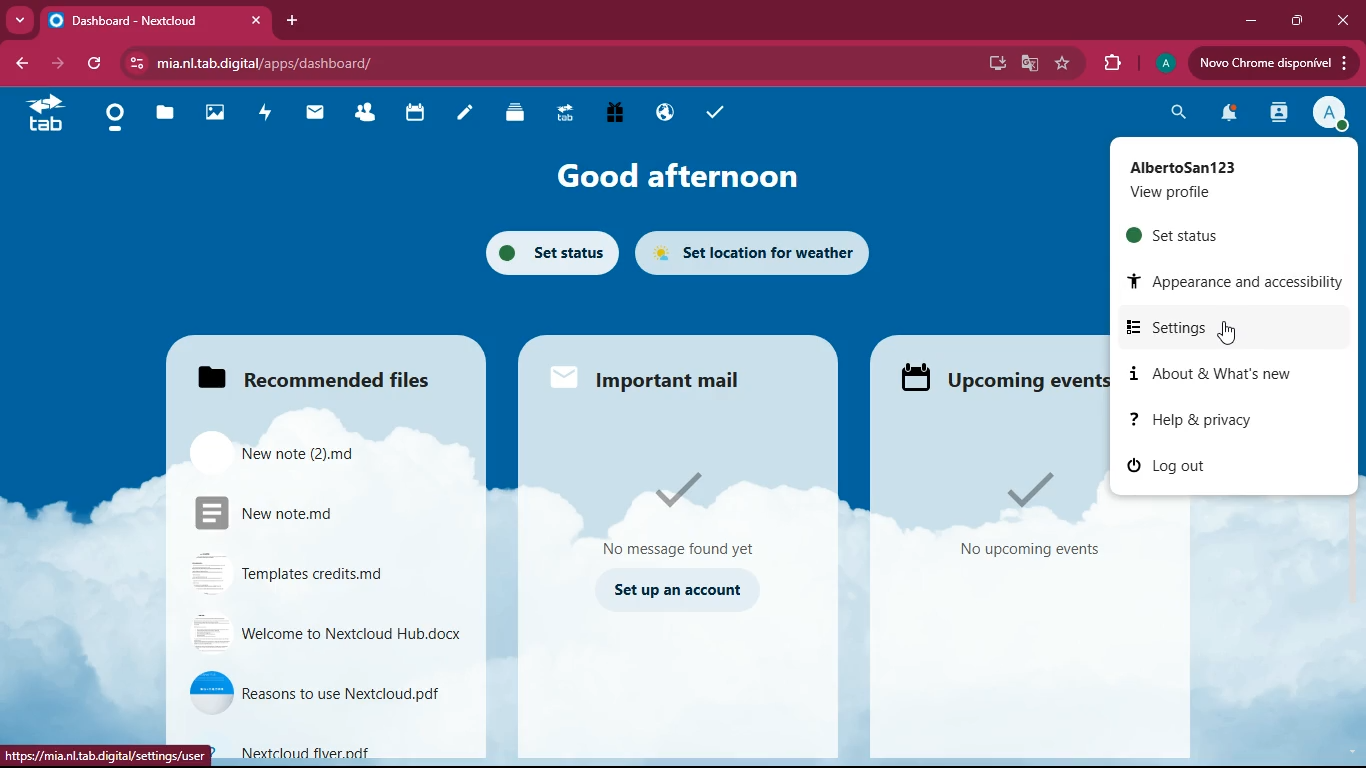 This screenshot has width=1366, height=768. What do you see at coordinates (1222, 375) in the screenshot?
I see `about ` at bounding box center [1222, 375].